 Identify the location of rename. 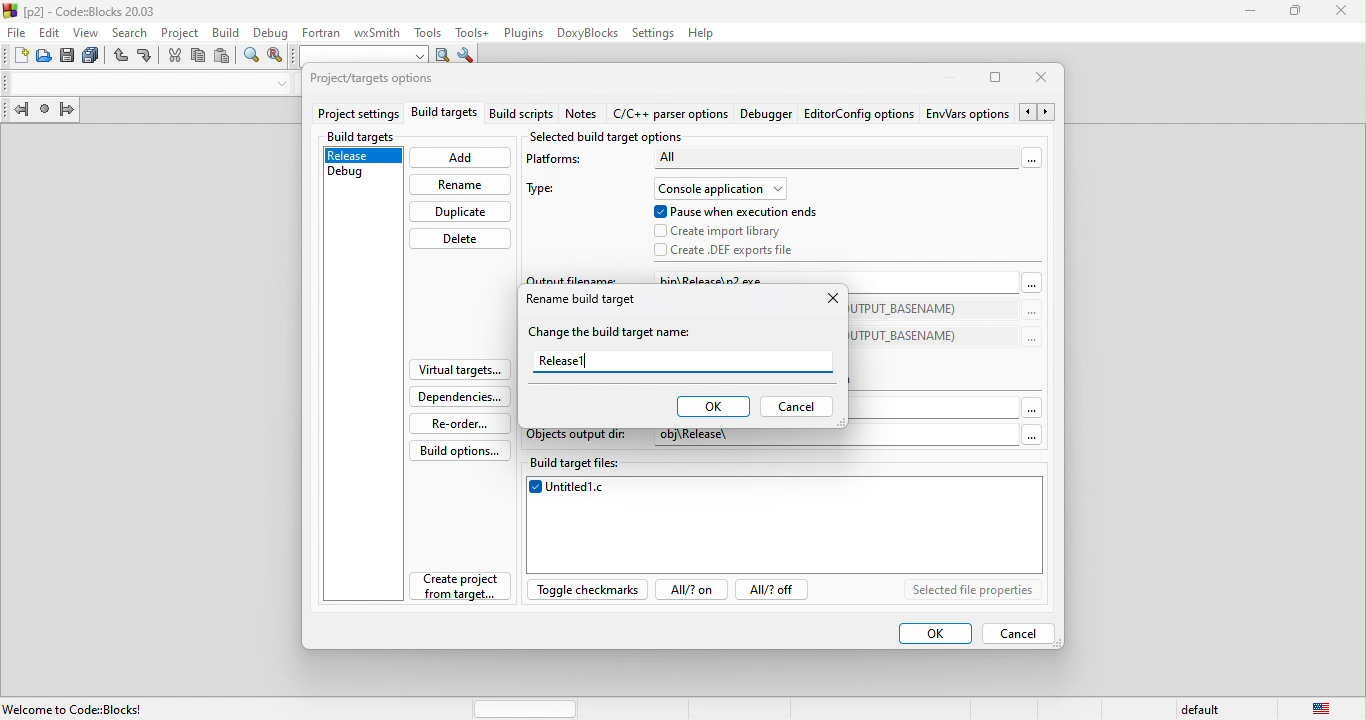
(461, 184).